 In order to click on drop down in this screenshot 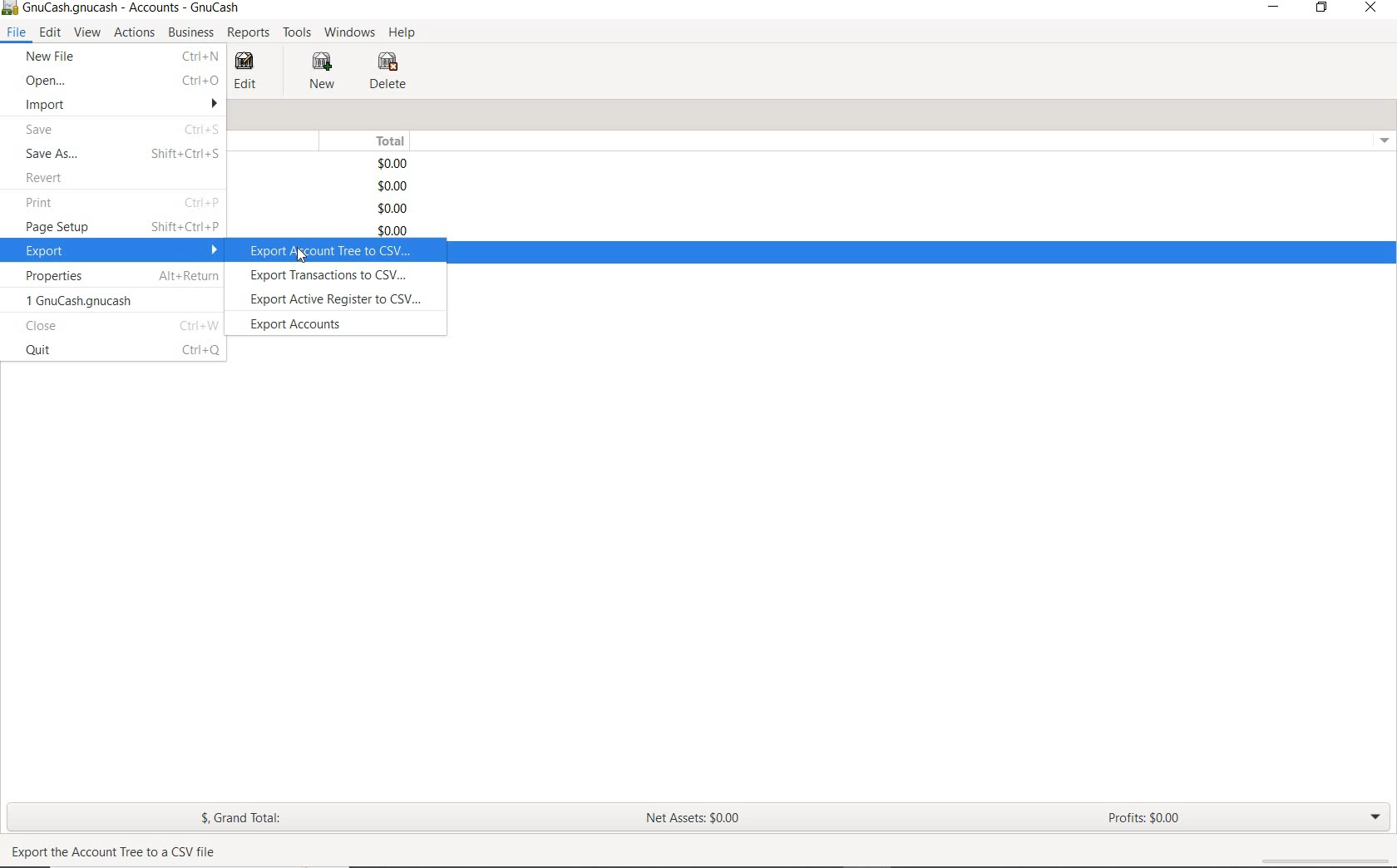, I will do `click(1386, 140)`.